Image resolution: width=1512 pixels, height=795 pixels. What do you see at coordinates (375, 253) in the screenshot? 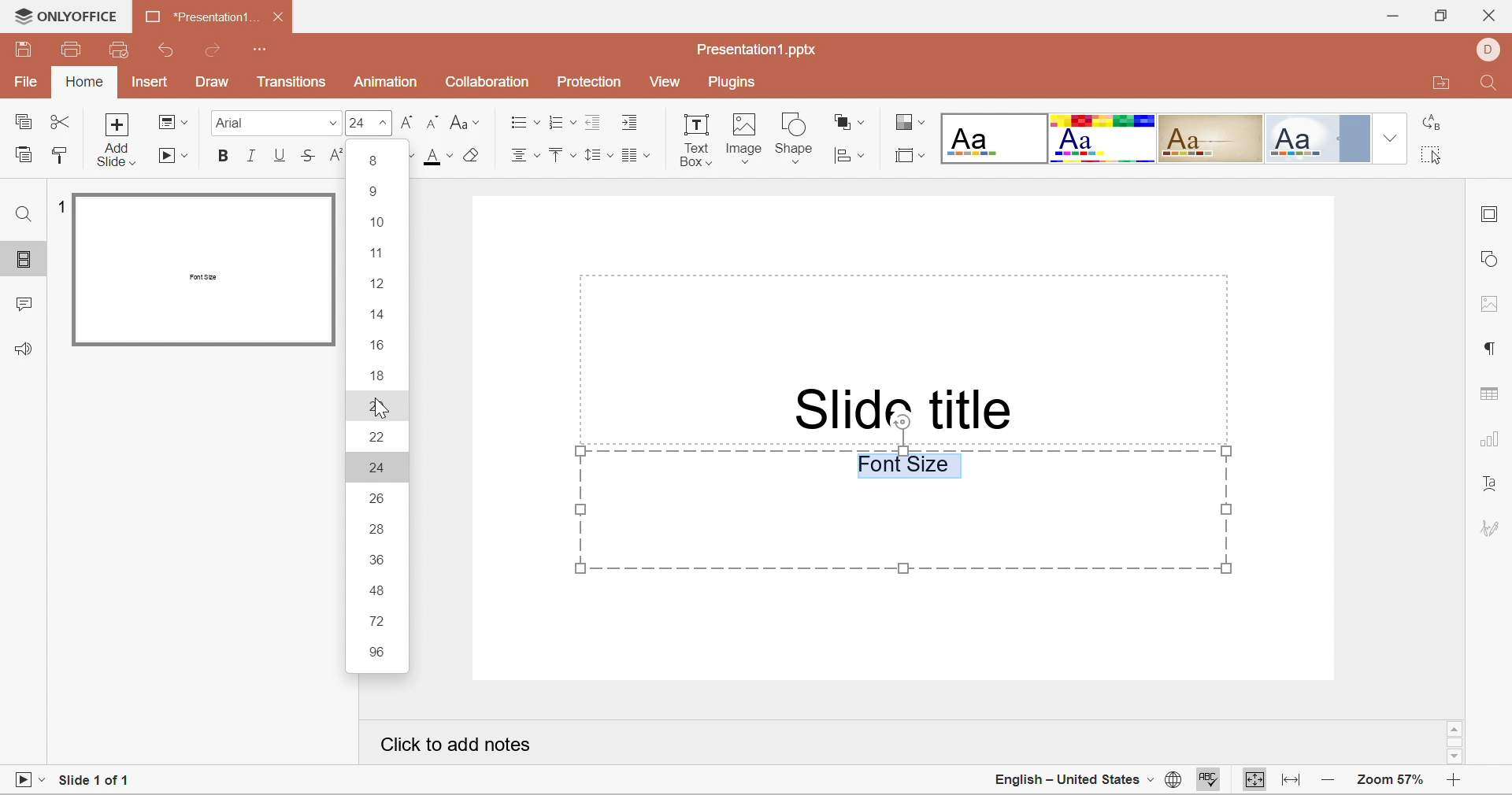
I see `11` at bounding box center [375, 253].